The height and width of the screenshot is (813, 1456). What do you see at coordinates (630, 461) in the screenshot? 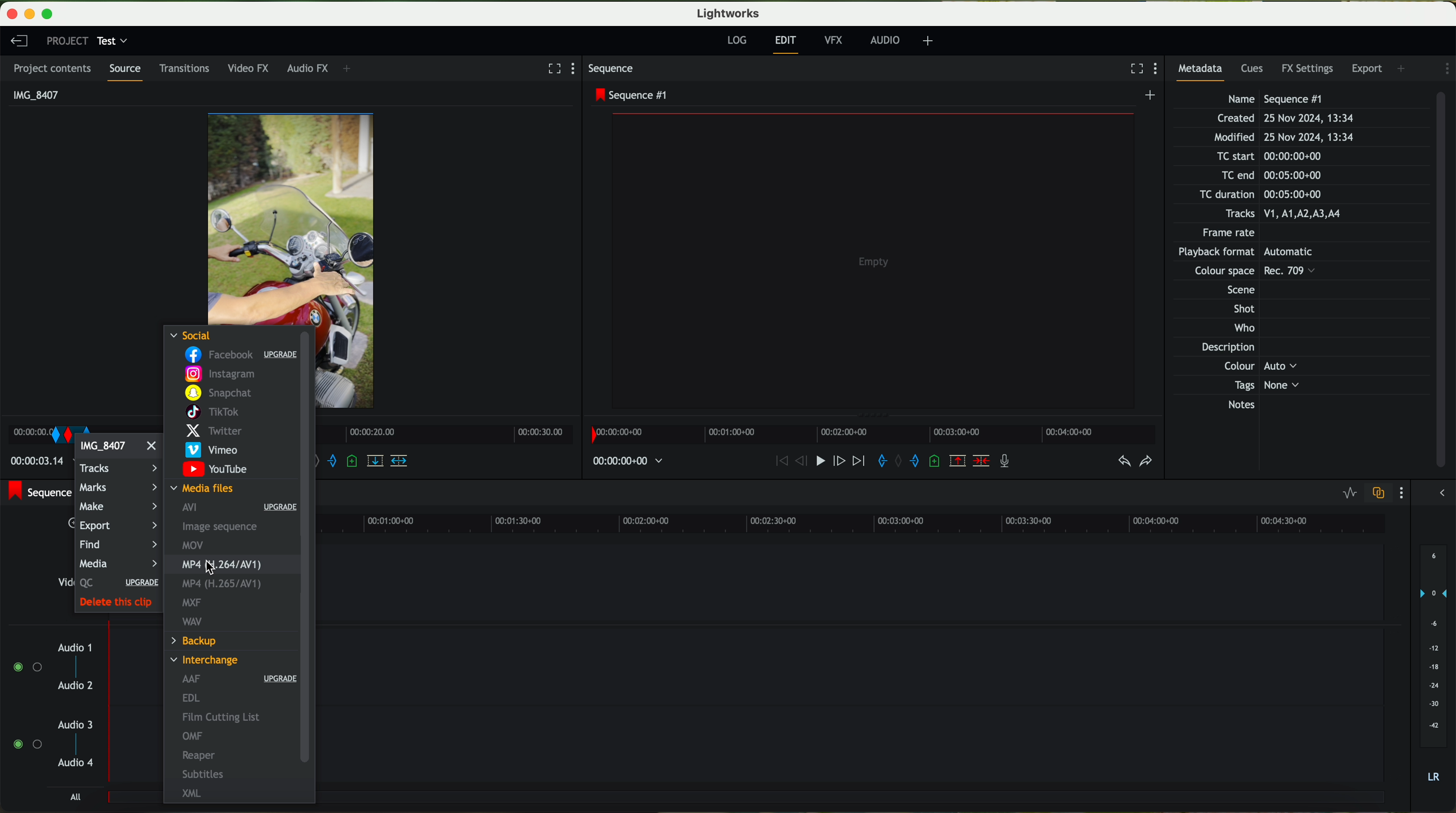
I see `time` at bounding box center [630, 461].